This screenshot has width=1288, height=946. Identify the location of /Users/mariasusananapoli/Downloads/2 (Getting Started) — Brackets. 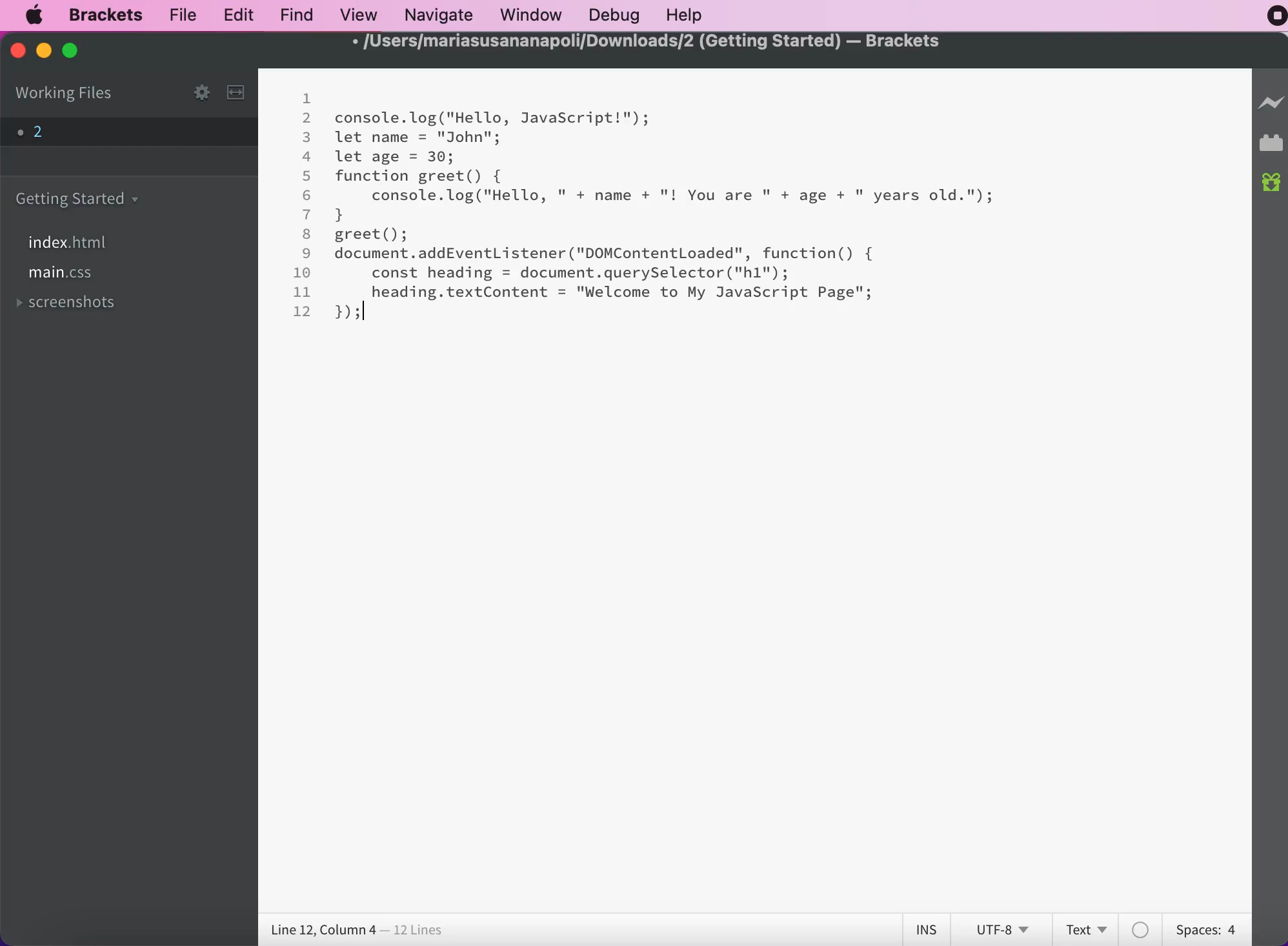
(647, 42).